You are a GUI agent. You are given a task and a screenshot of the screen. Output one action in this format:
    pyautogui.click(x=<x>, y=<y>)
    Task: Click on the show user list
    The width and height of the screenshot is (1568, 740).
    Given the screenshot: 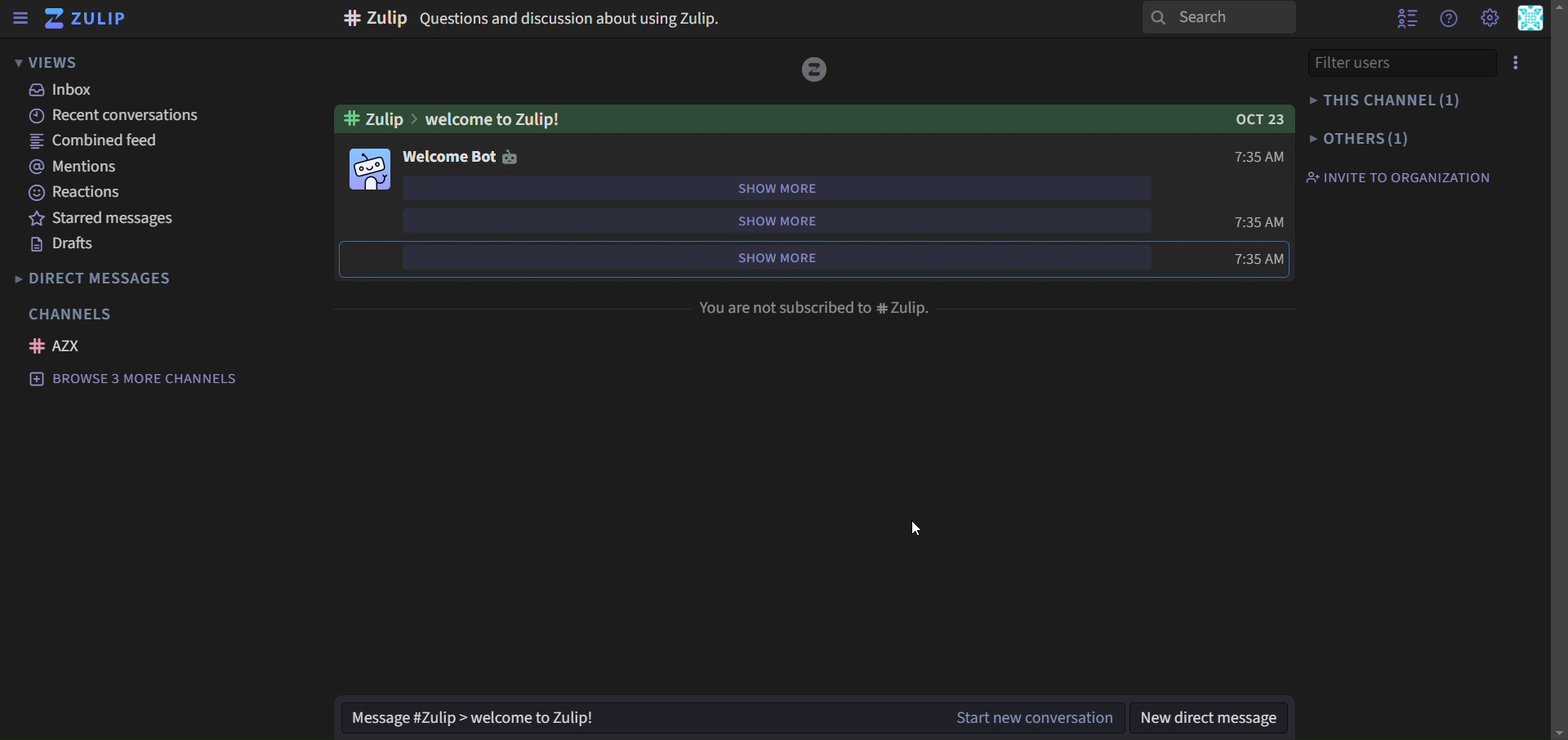 What is the action you would take?
    pyautogui.click(x=1410, y=17)
    